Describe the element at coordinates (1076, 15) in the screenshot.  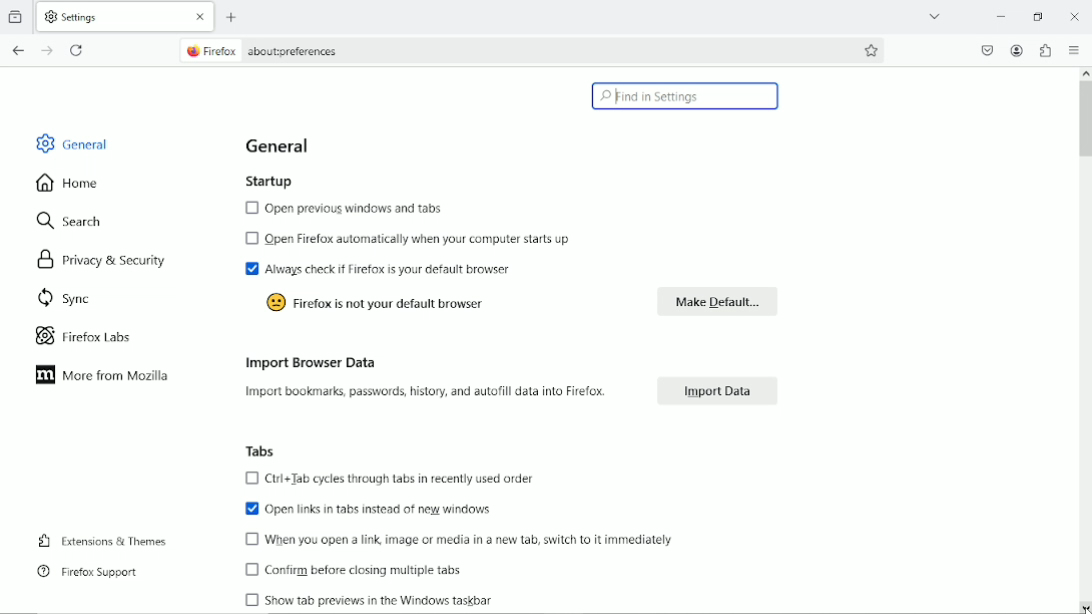
I see `Close` at that location.